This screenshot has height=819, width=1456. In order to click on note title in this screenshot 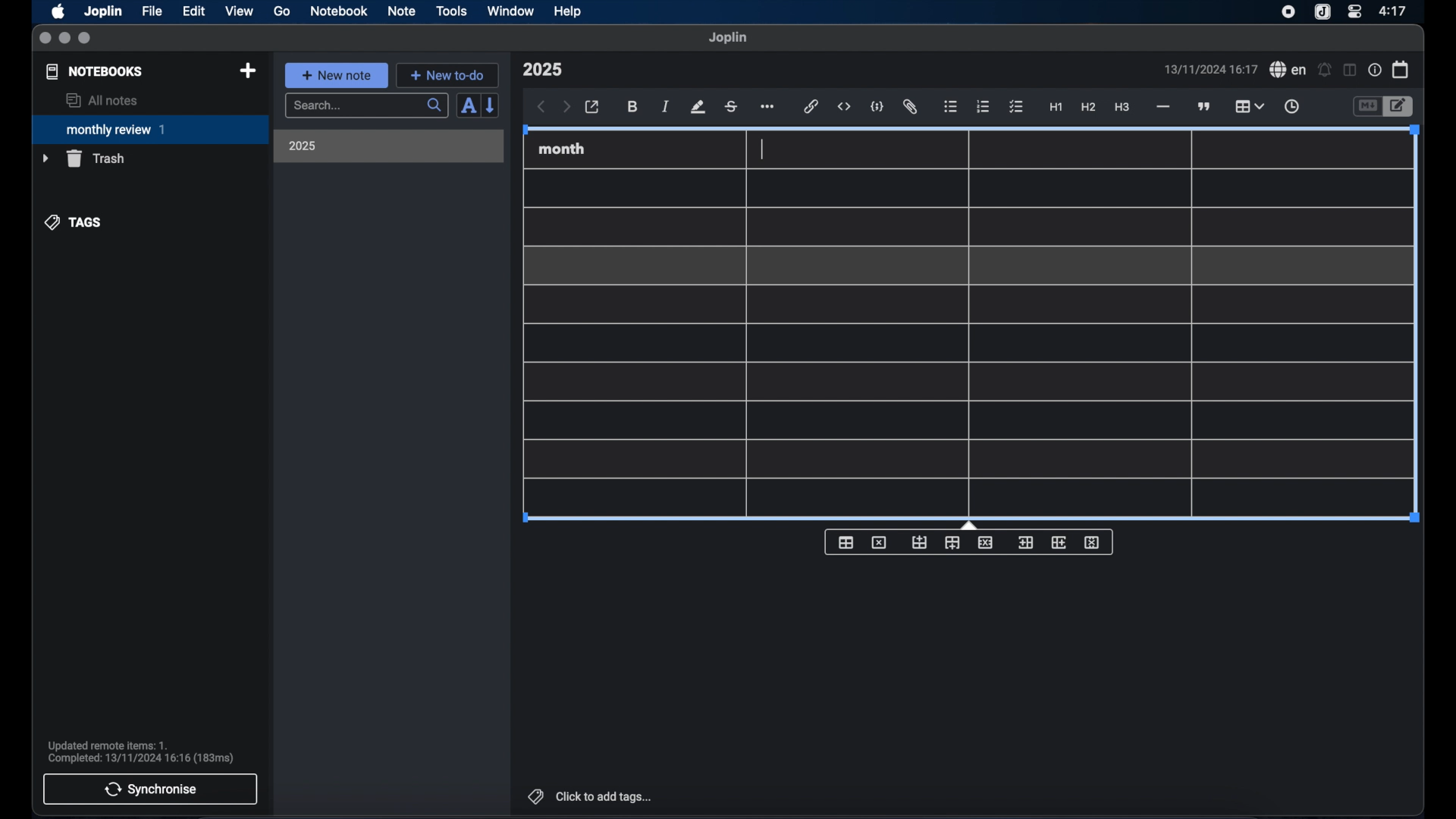, I will do `click(542, 70)`.